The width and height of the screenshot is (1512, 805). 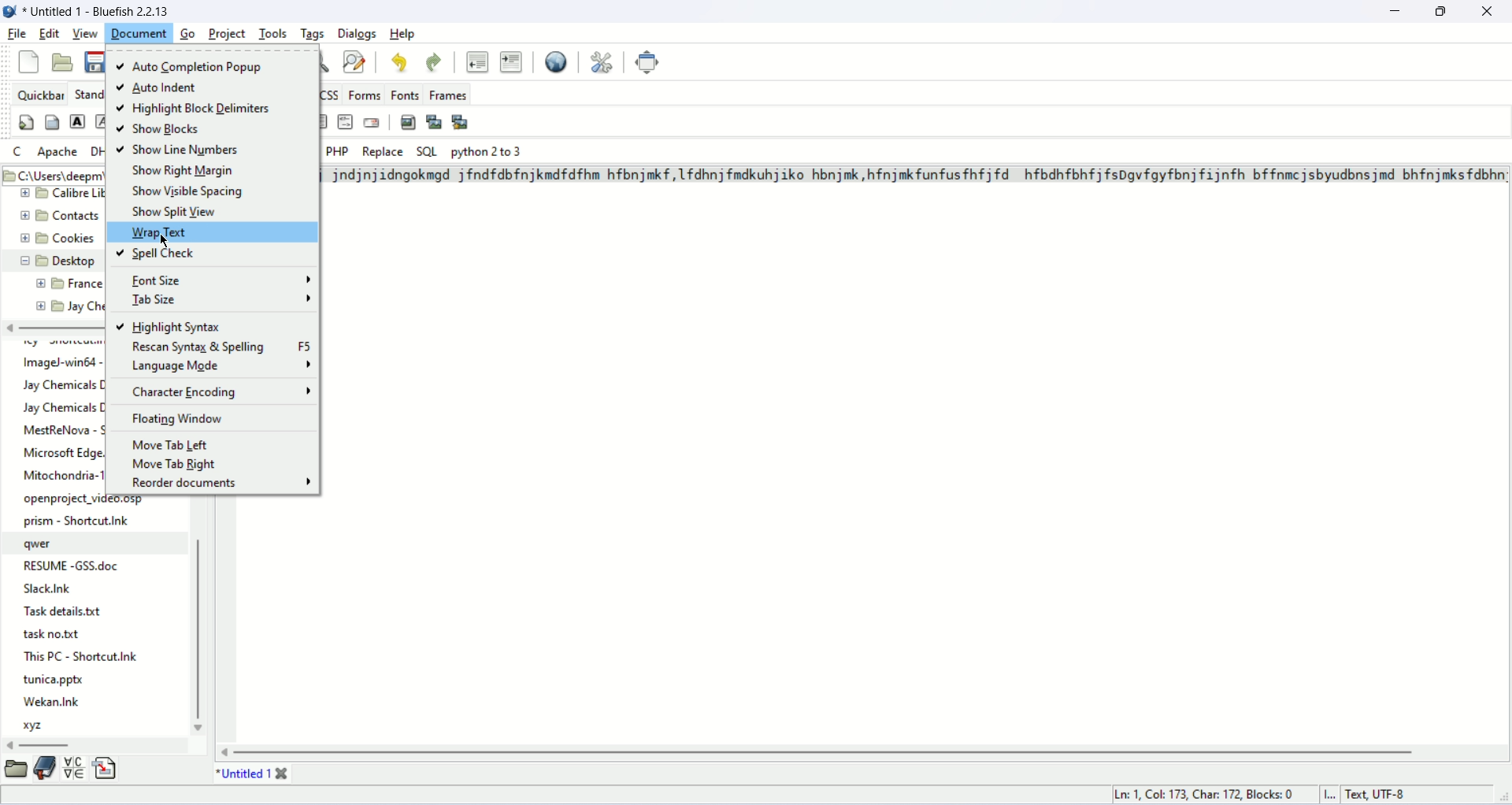 What do you see at coordinates (227, 33) in the screenshot?
I see `project` at bounding box center [227, 33].